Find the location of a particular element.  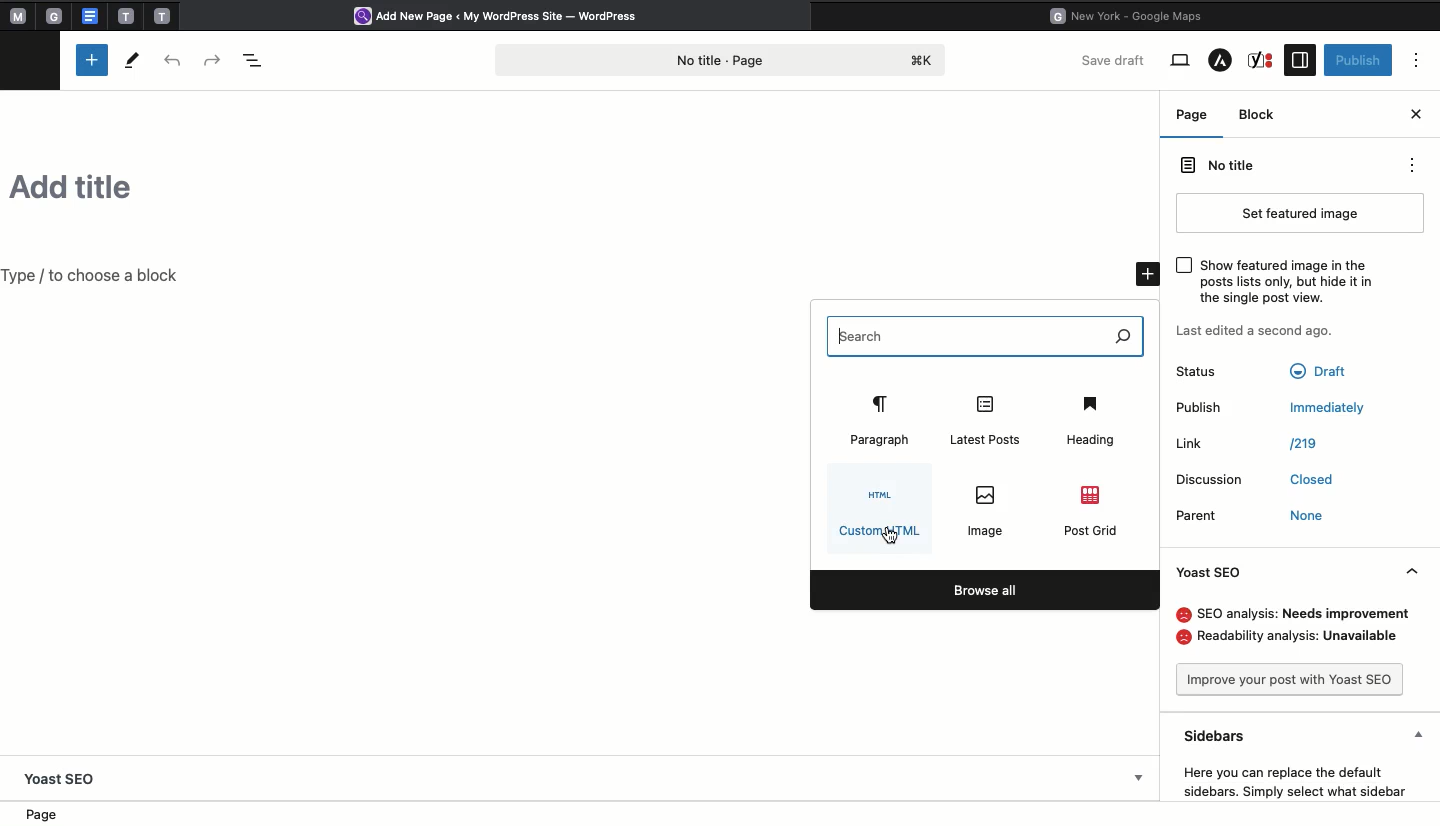

Page is located at coordinates (1192, 114).